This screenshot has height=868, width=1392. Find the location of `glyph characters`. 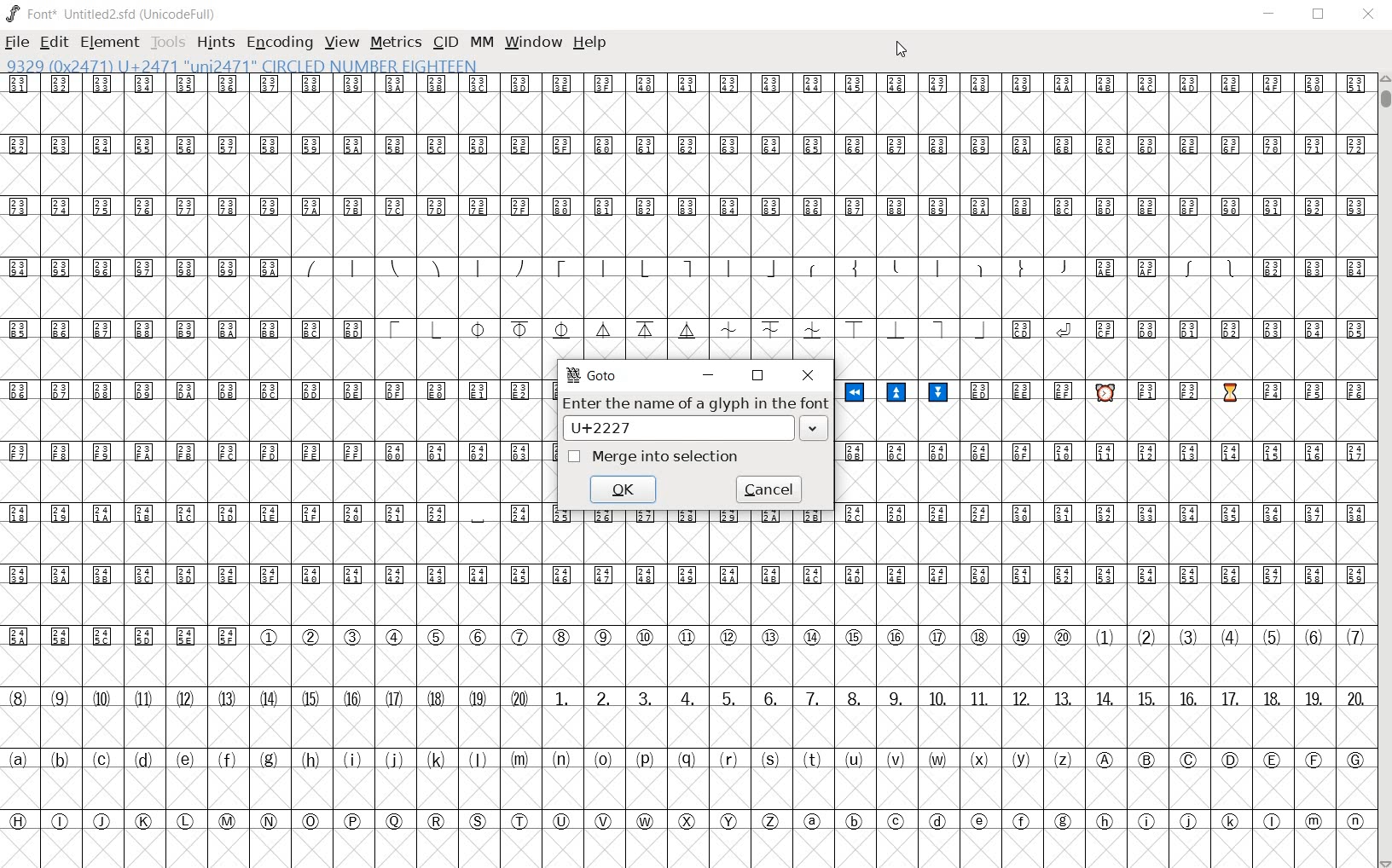

glyph characters is located at coordinates (959, 715).